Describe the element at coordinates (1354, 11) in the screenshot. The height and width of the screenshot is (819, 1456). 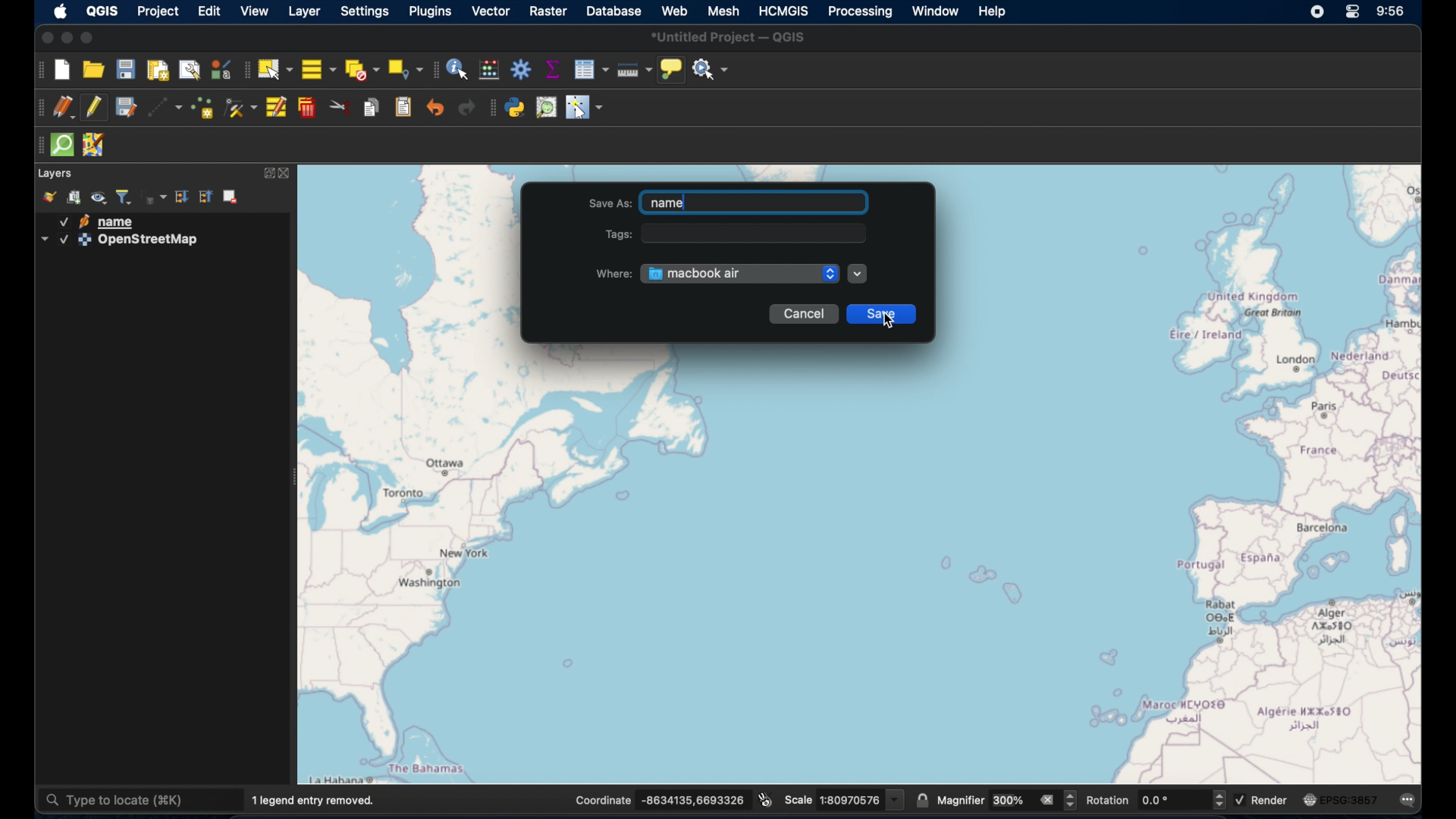
I see `control center` at that location.